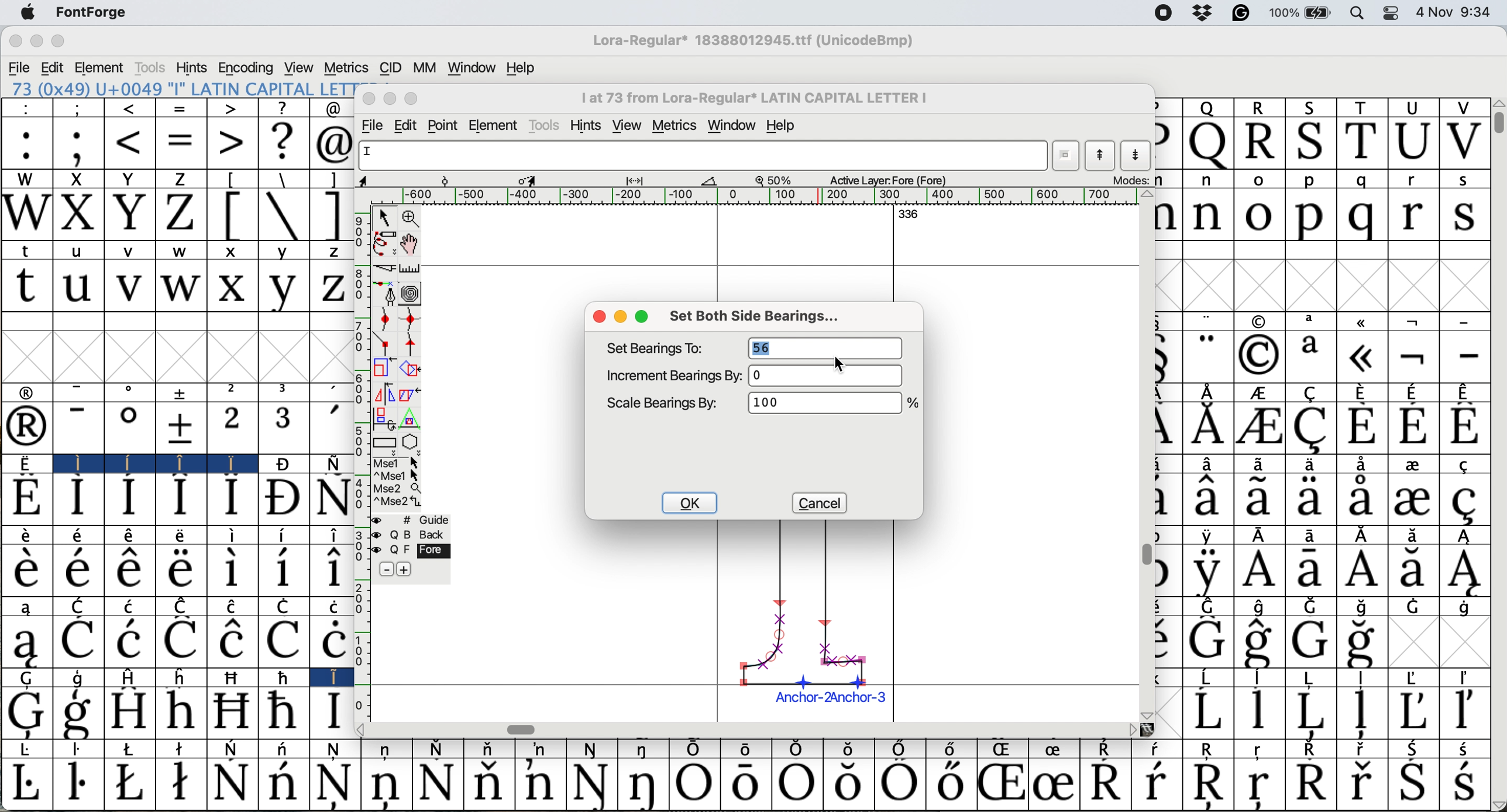 This screenshot has width=1507, height=812. I want to click on Symbol, so click(387, 751).